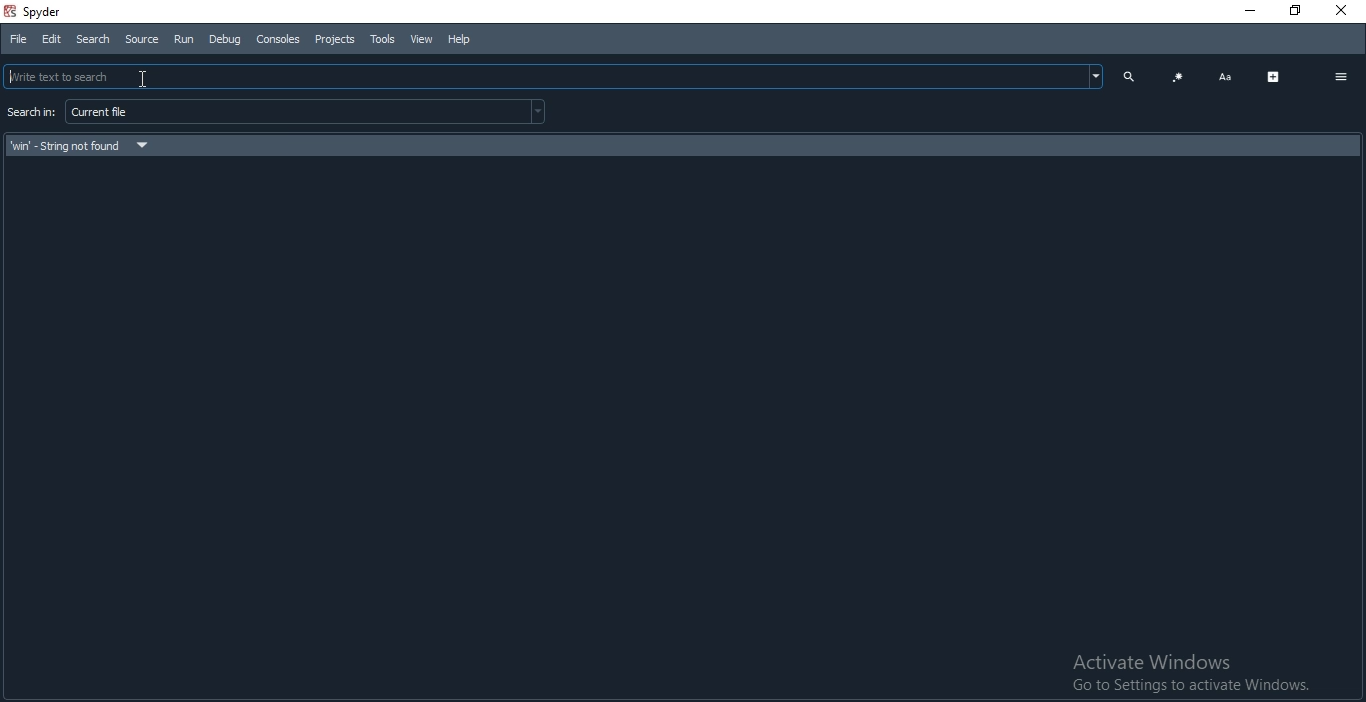 The image size is (1366, 702). Describe the element at coordinates (20, 40) in the screenshot. I see `File ` at that location.